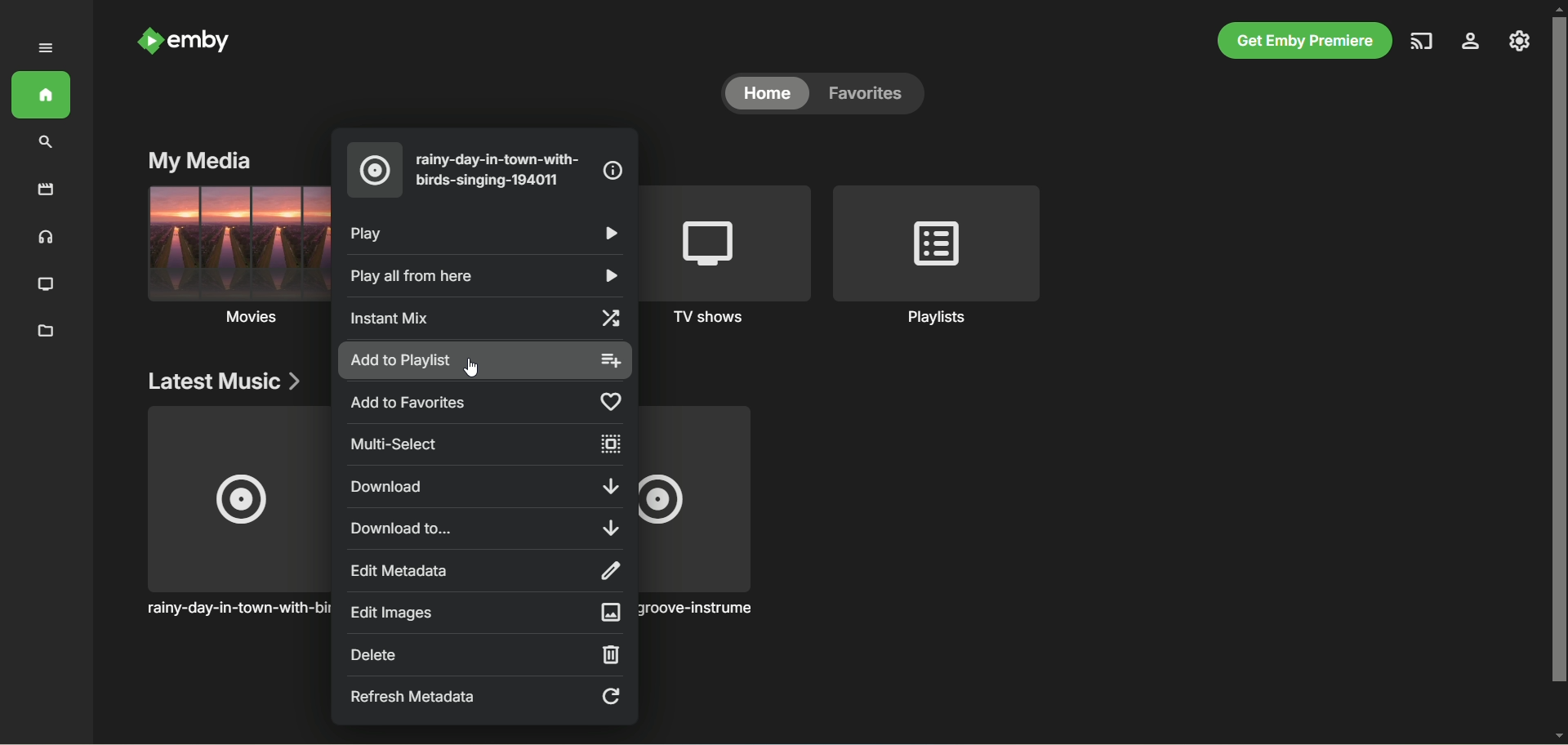 Image resolution: width=1568 pixels, height=745 pixels. I want to click on Emby logo, so click(149, 41).